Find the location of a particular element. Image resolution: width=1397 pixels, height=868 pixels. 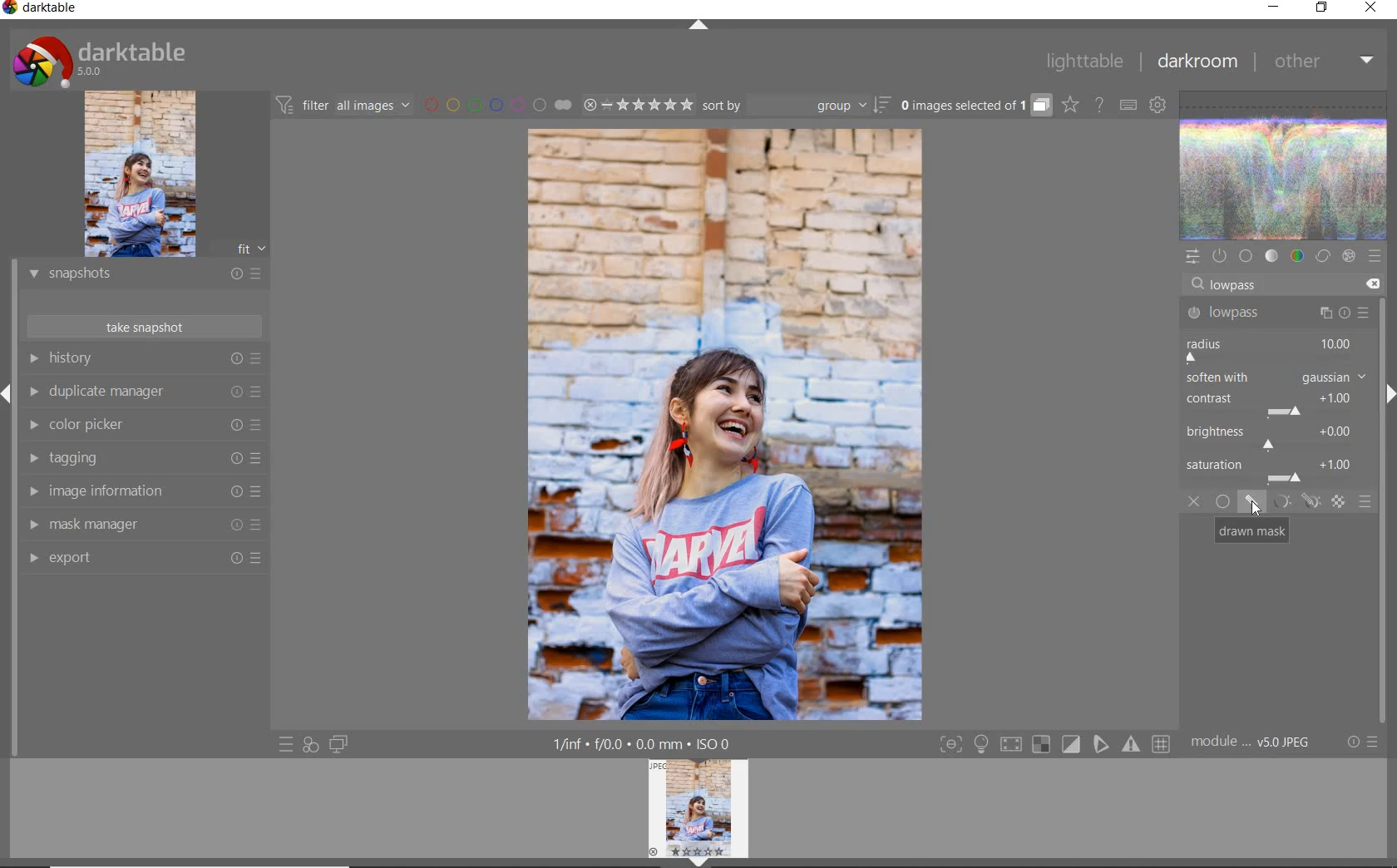

filter images by color labels is located at coordinates (497, 106).